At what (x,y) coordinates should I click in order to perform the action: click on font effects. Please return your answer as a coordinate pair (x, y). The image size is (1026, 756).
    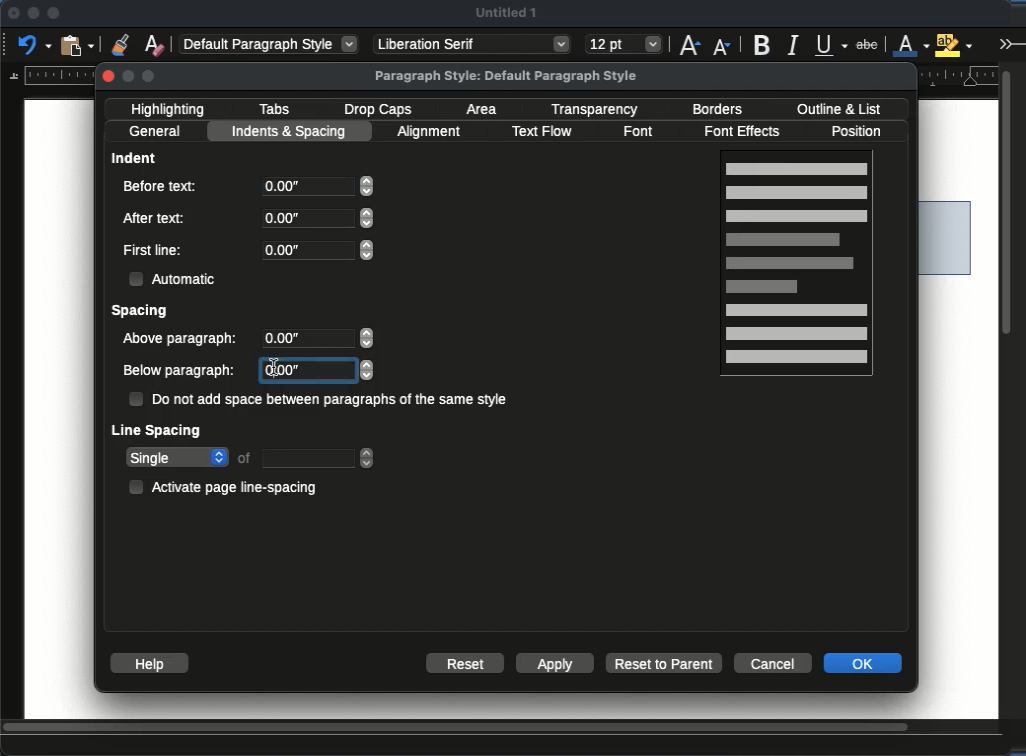
    Looking at the image, I should click on (748, 132).